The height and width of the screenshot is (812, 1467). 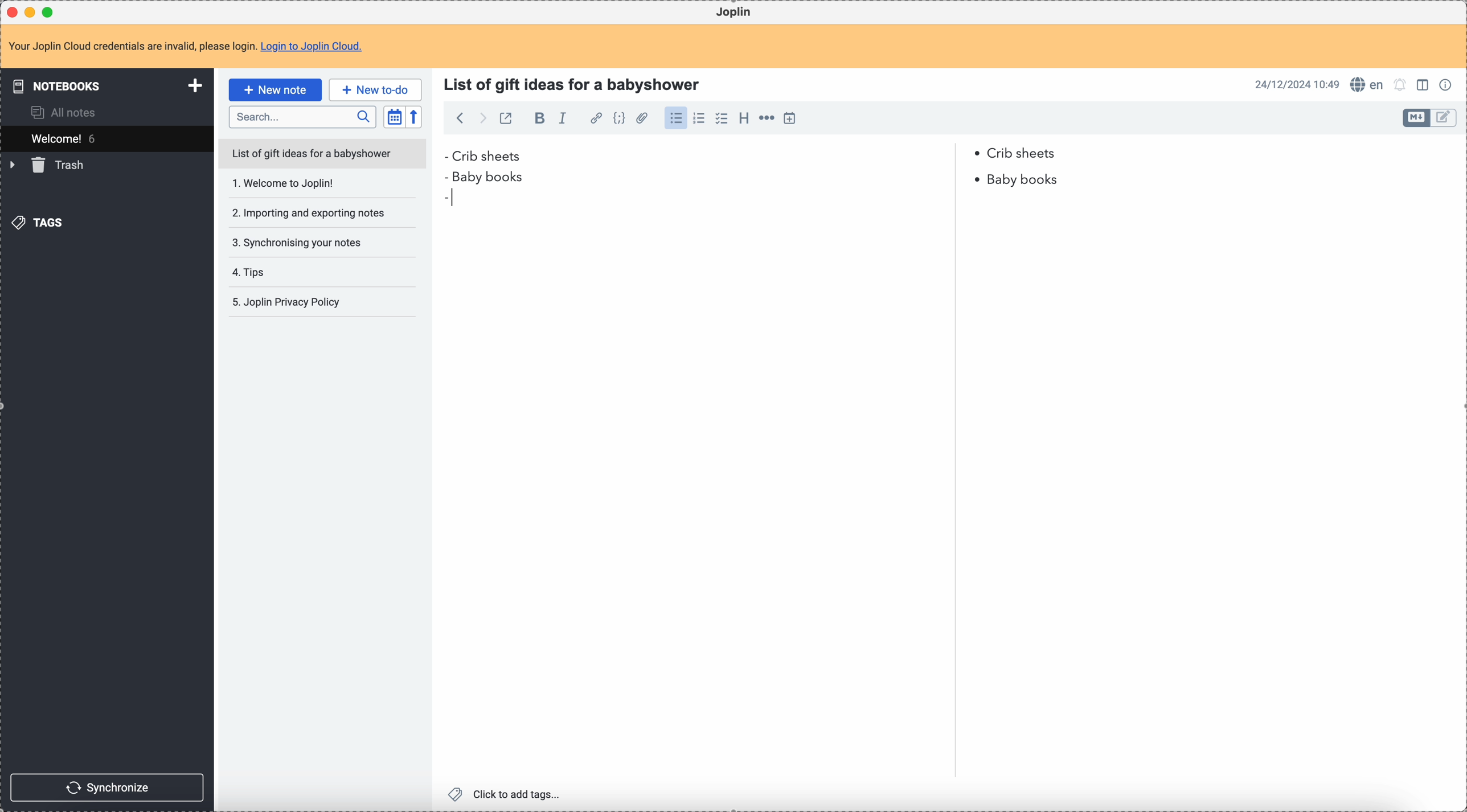 I want to click on spell checker, so click(x=1368, y=85).